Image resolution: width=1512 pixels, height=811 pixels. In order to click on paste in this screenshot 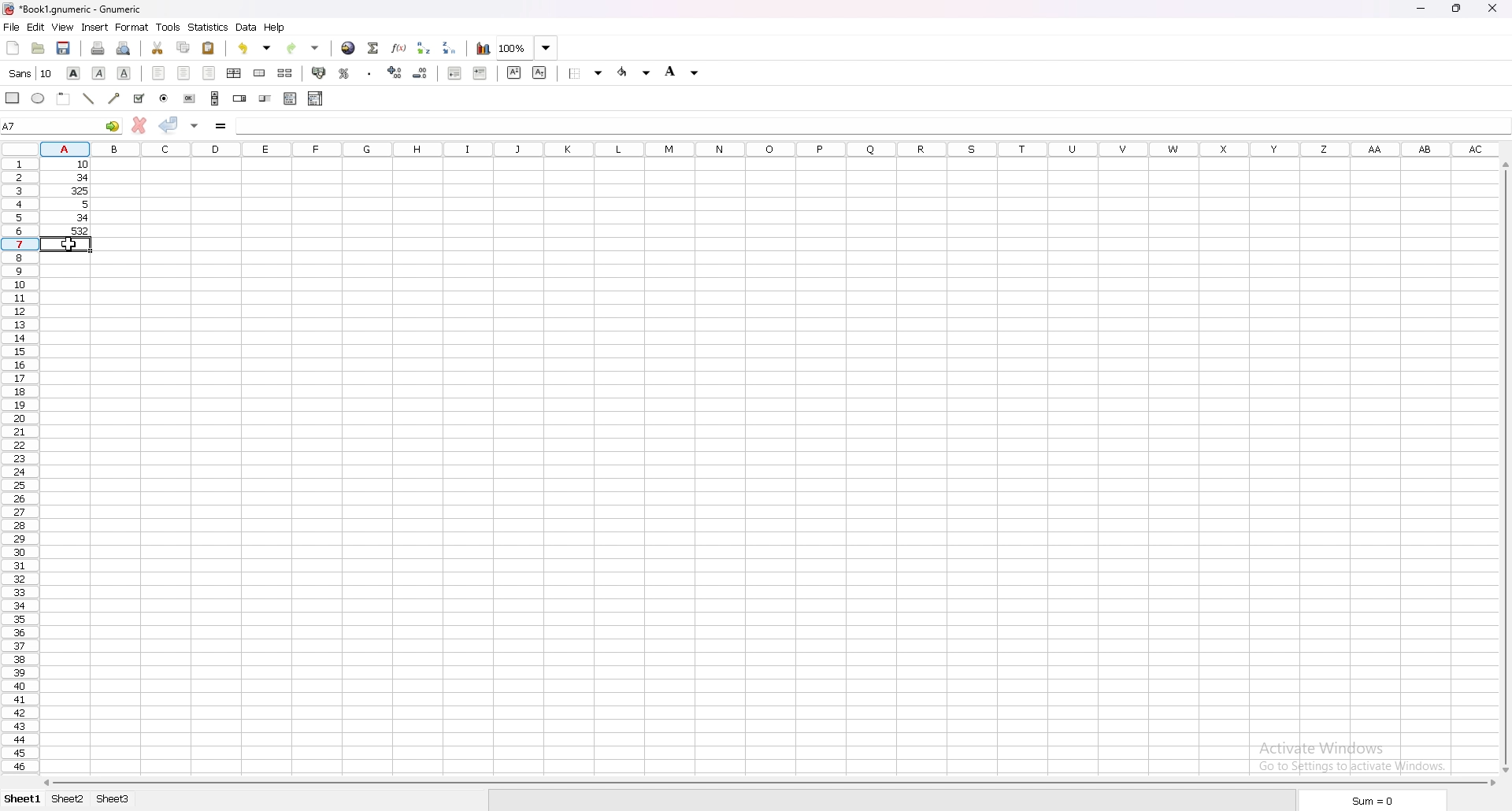, I will do `click(209, 47)`.